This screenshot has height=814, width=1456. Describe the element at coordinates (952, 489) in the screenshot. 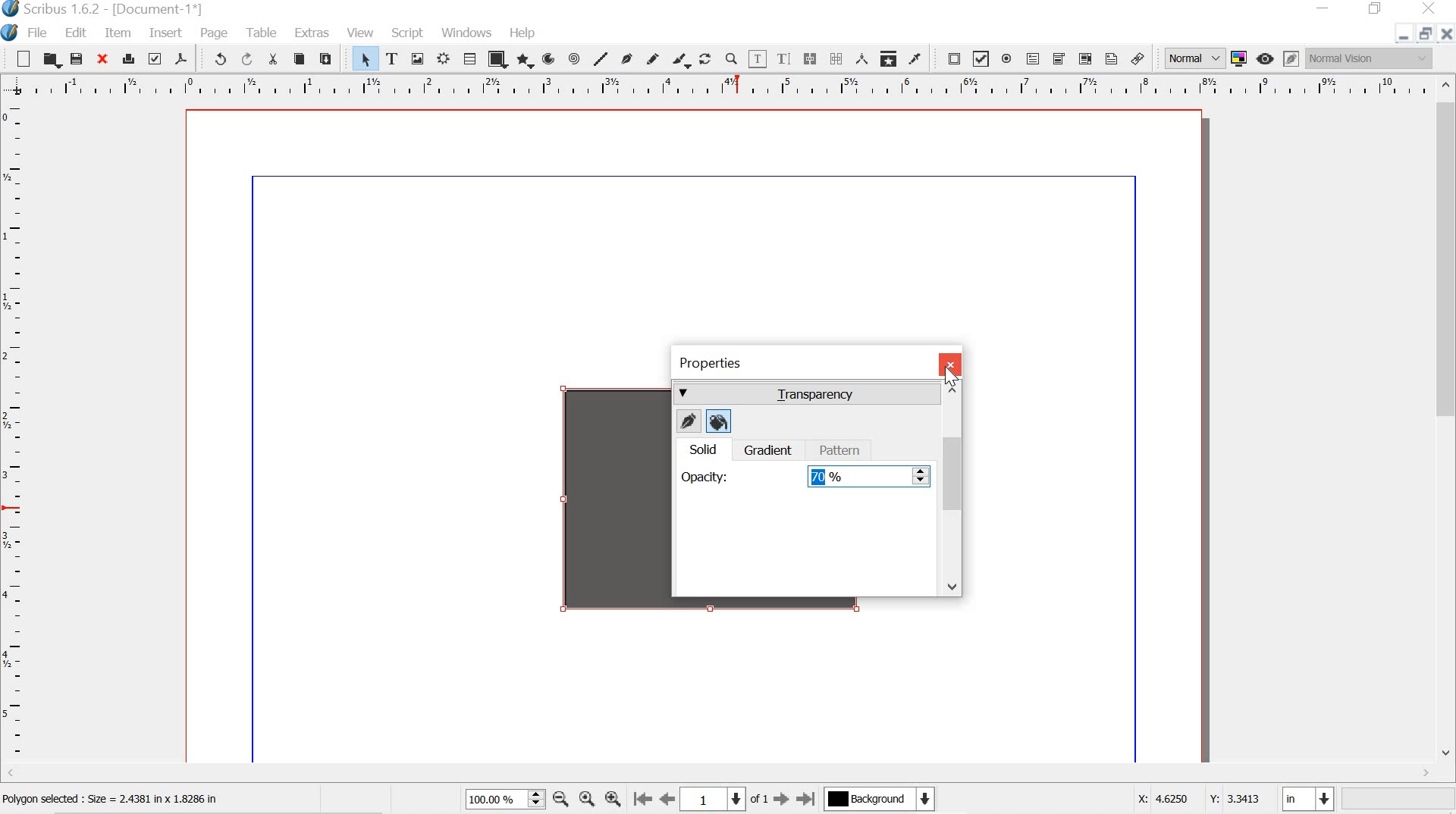

I see `scrollbar` at that location.